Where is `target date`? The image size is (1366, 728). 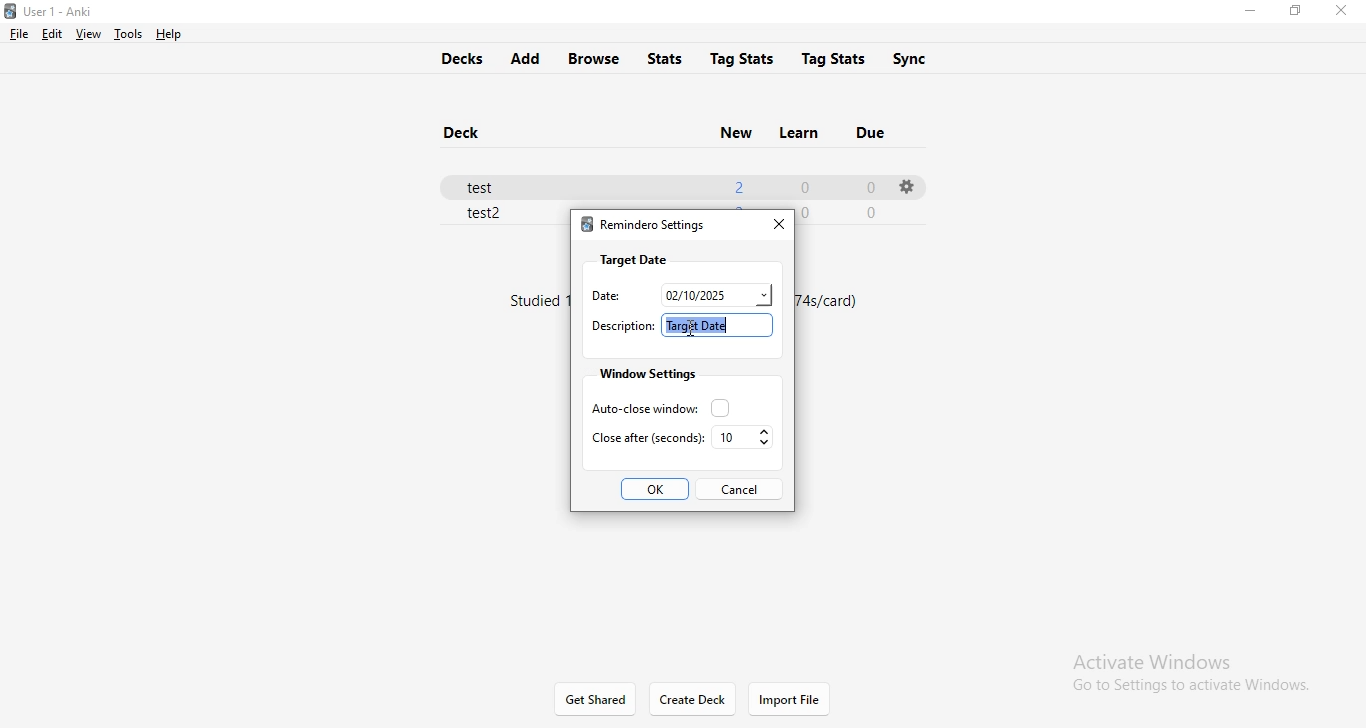 target date is located at coordinates (633, 259).